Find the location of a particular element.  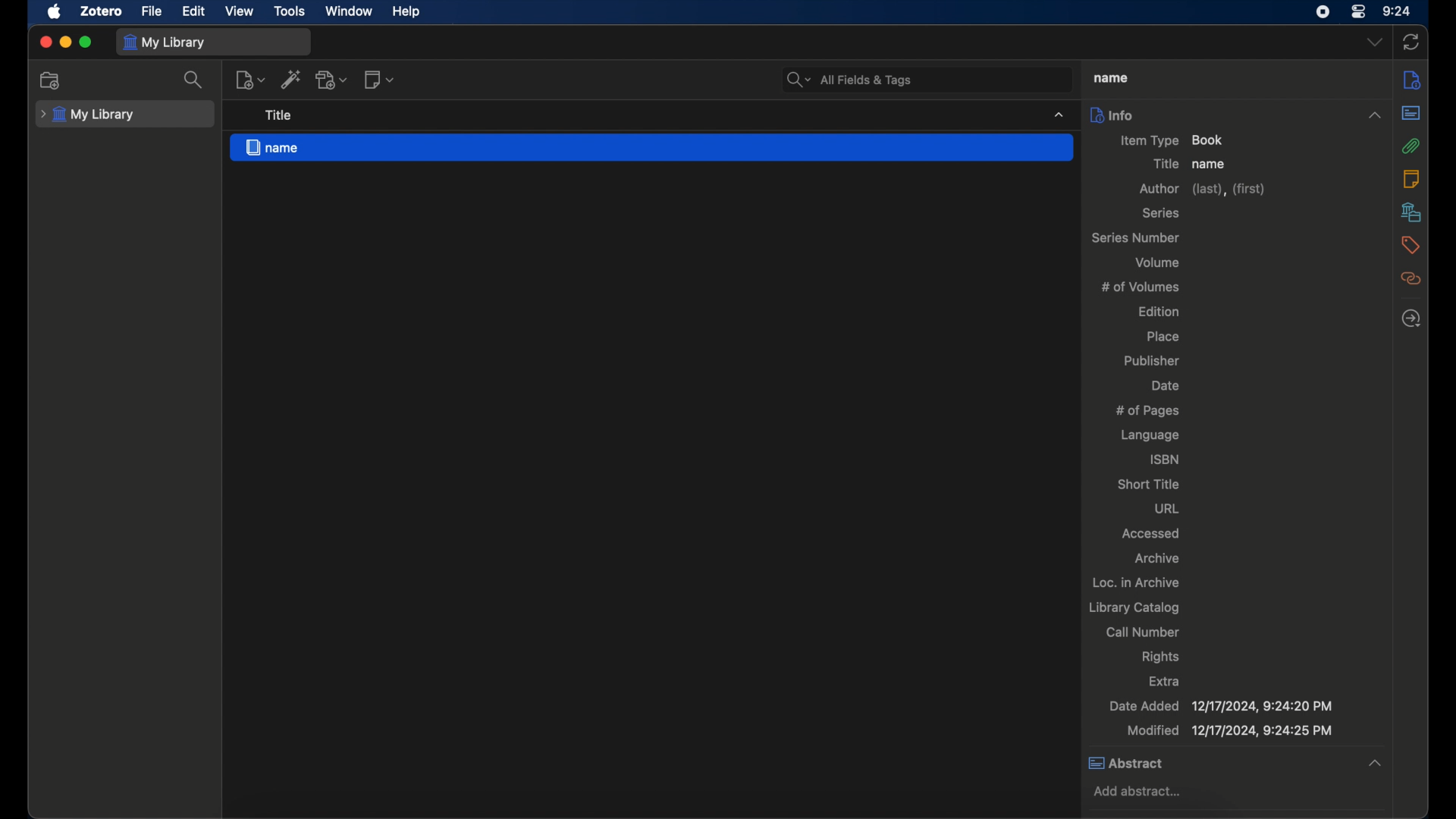

control center is located at coordinates (1359, 11).